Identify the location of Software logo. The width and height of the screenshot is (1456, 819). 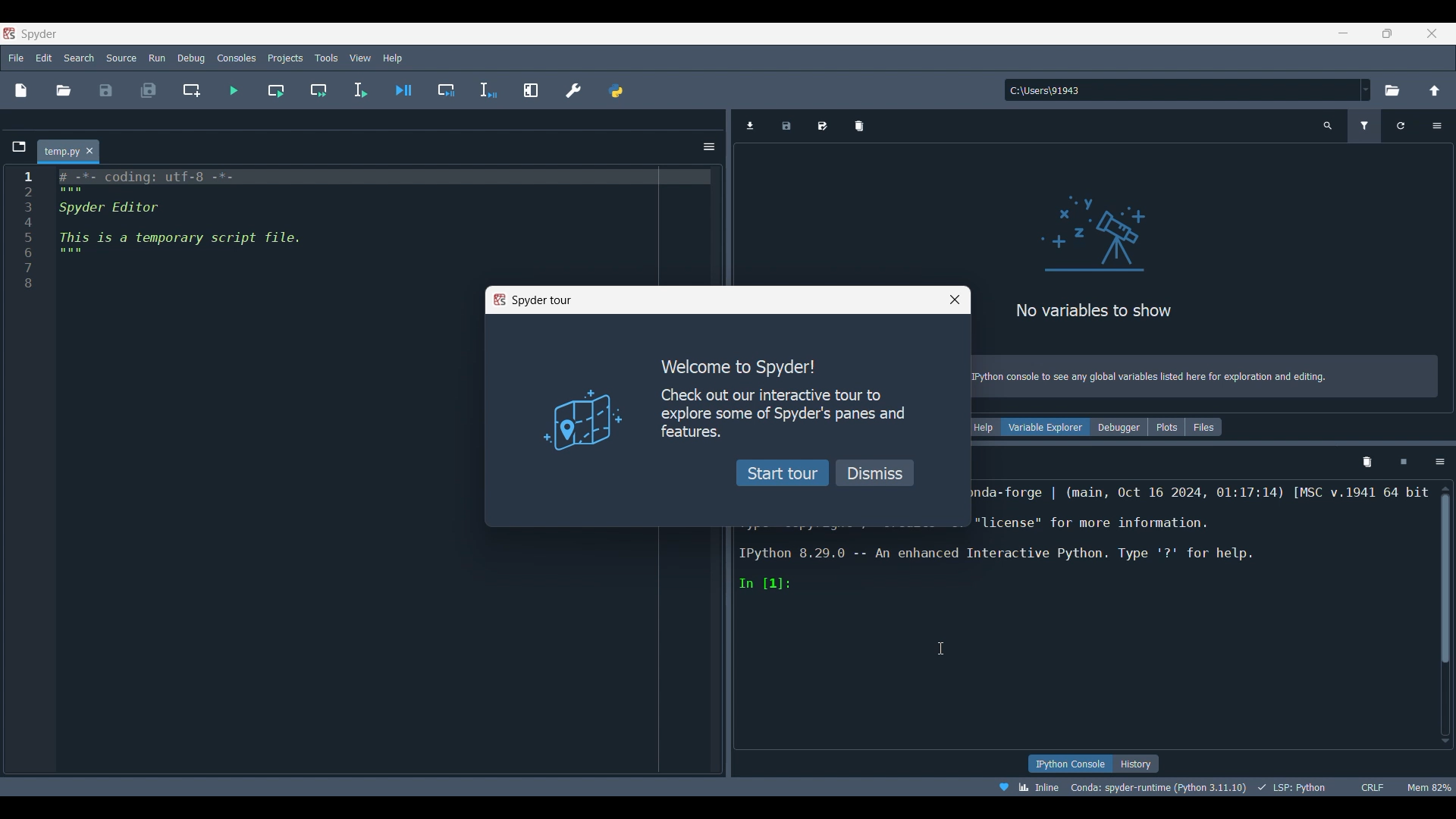
(10, 33).